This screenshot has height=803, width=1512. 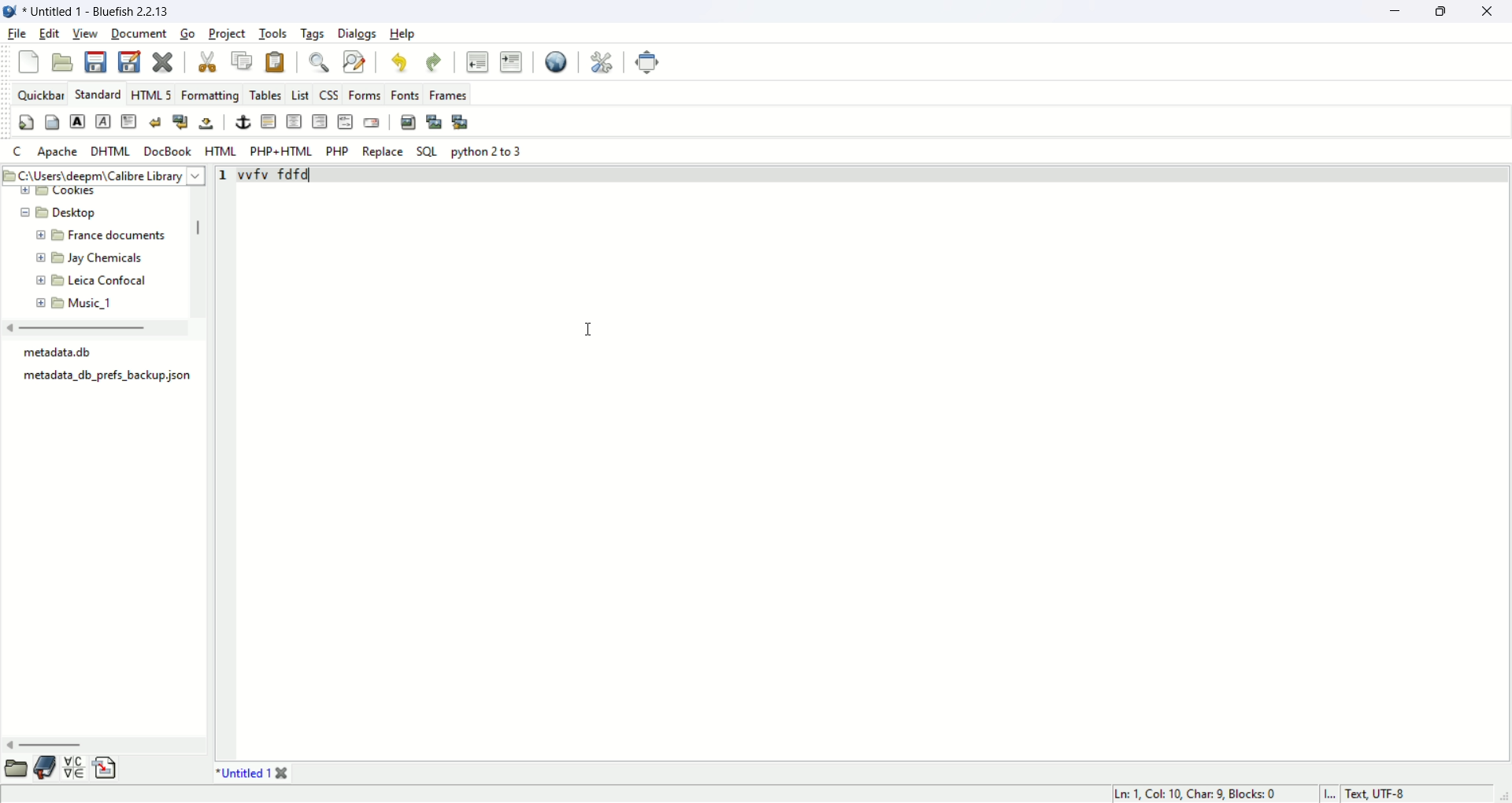 I want to click on vvfv fdfd, so click(x=280, y=174).